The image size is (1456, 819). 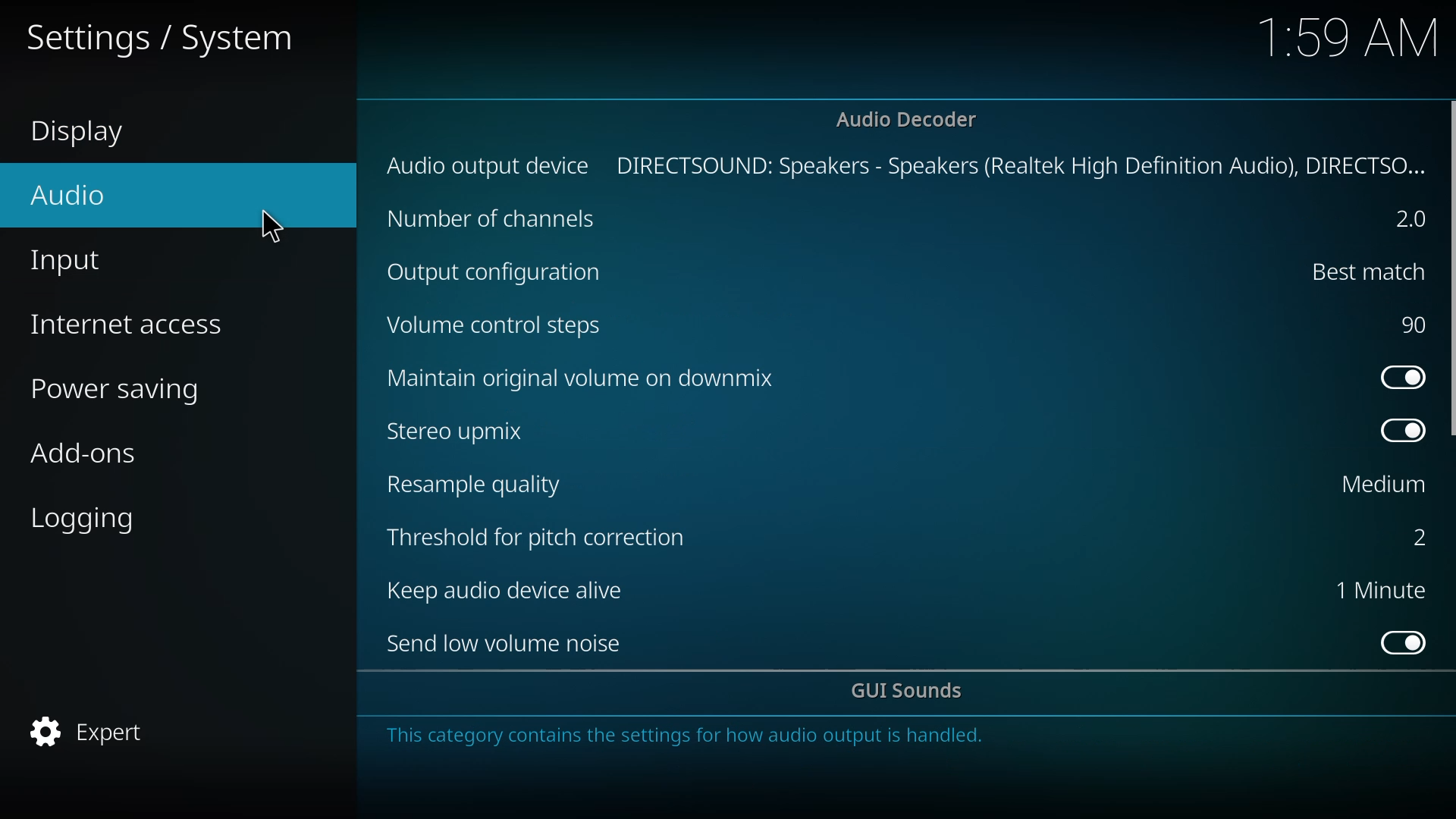 What do you see at coordinates (86, 453) in the screenshot?
I see `add-ons` at bounding box center [86, 453].